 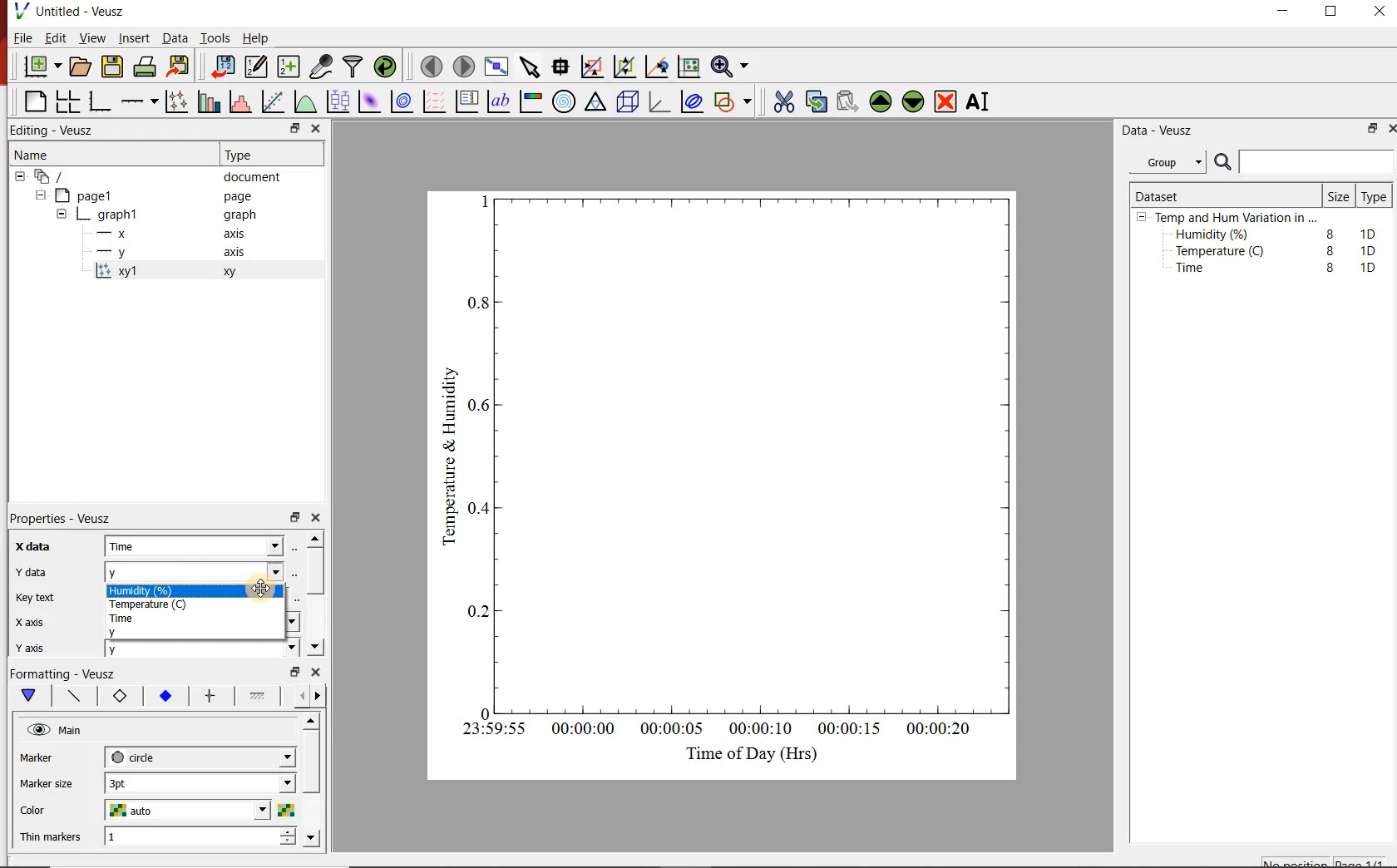 What do you see at coordinates (1389, 128) in the screenshot?
I see `close` at bounding box center [1389, 128].